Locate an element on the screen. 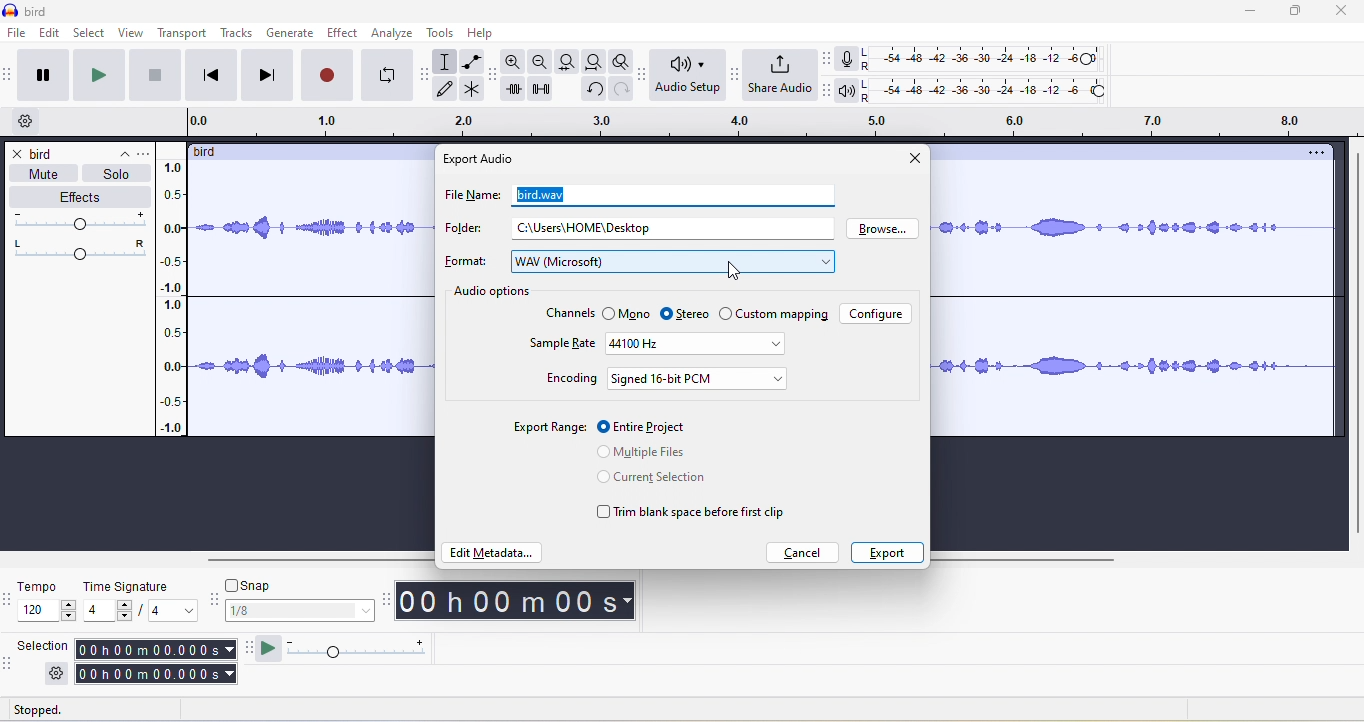 The height and width of the screenshot is (722, 1364). envelope tool is located at coordinates (470, 62).